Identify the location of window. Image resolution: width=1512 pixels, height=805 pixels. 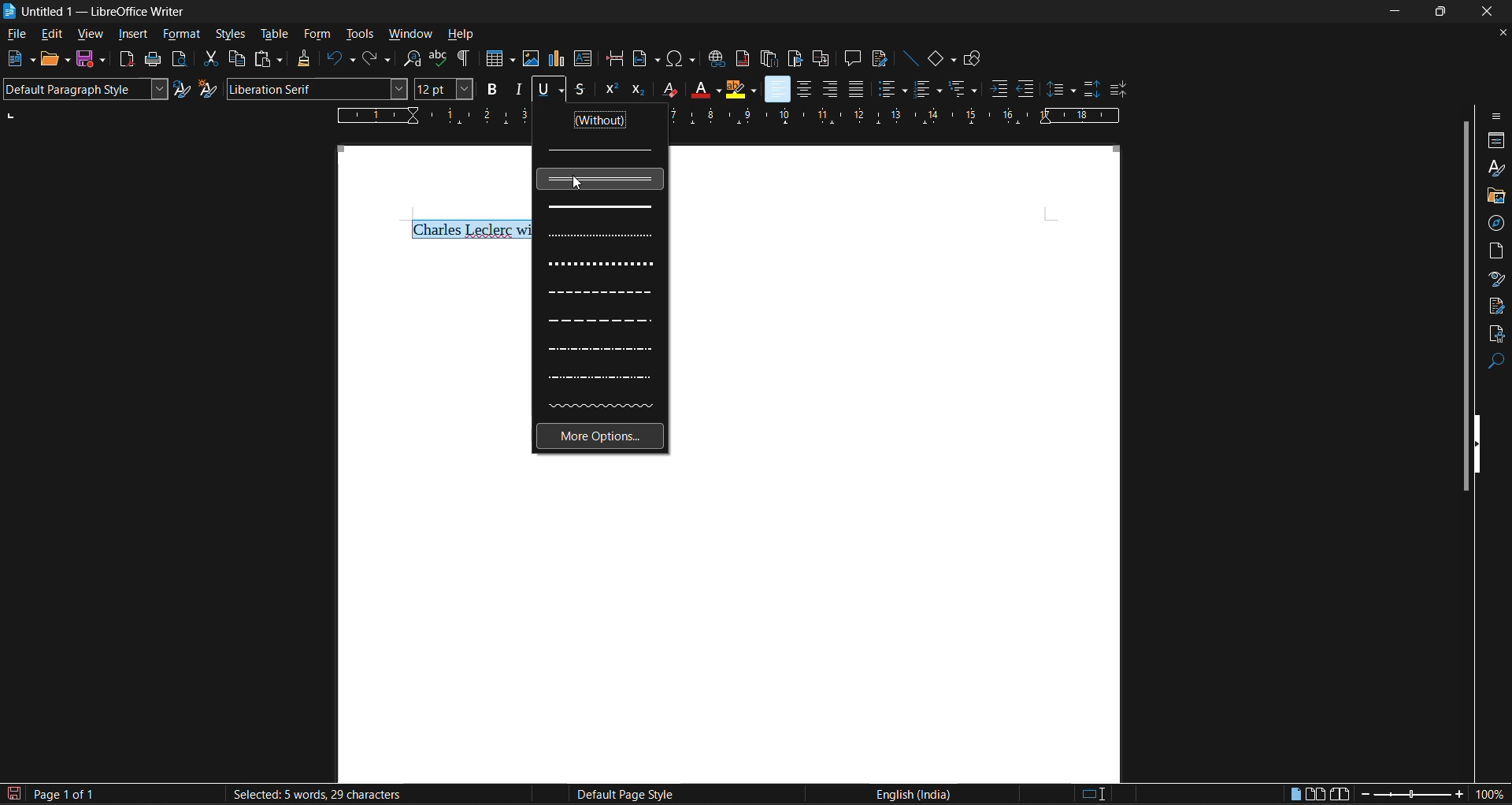
(408, 33).